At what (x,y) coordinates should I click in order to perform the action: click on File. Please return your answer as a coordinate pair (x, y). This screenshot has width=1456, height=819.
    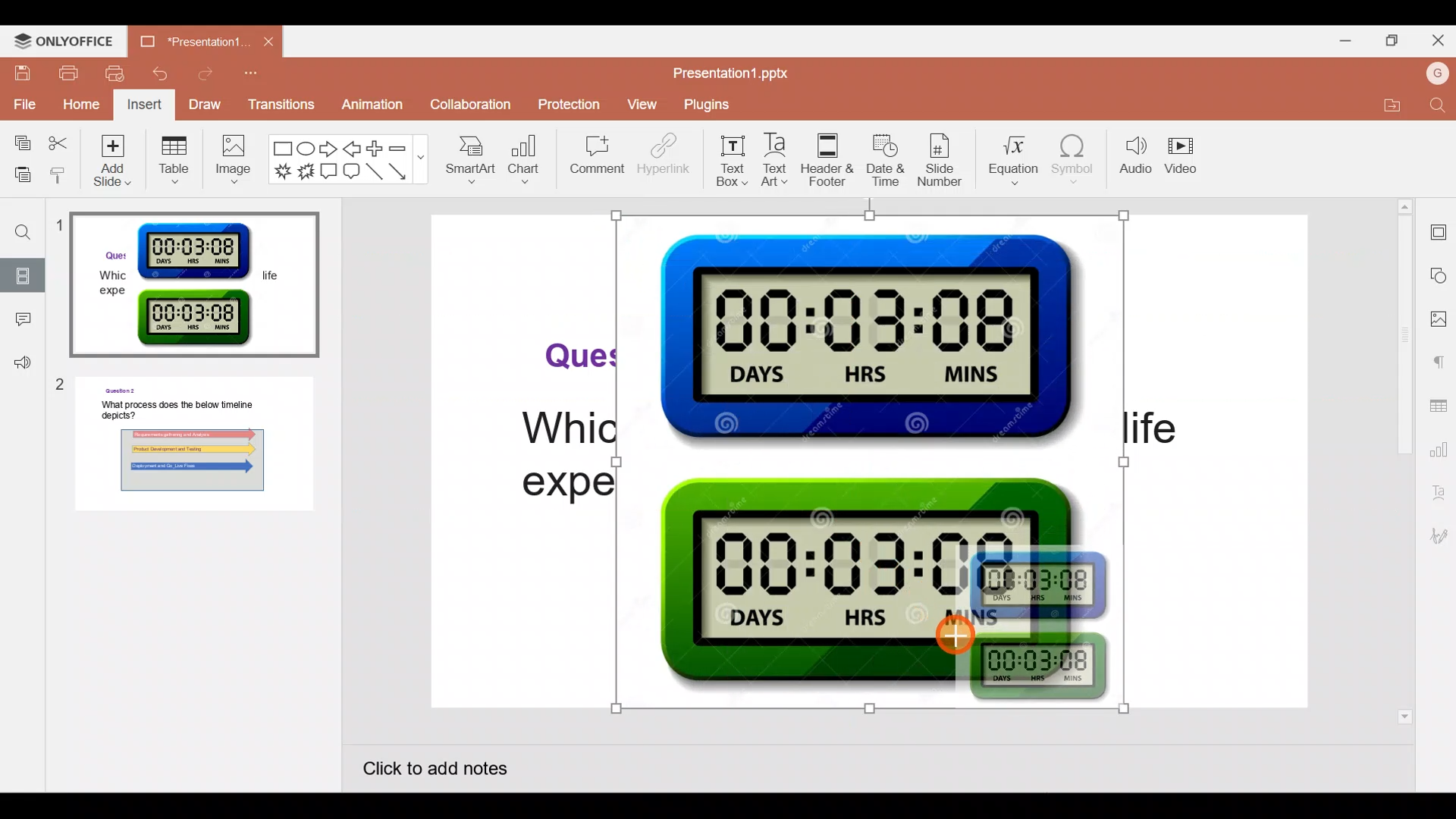
    Looking at the image, I should click on (21, 104).